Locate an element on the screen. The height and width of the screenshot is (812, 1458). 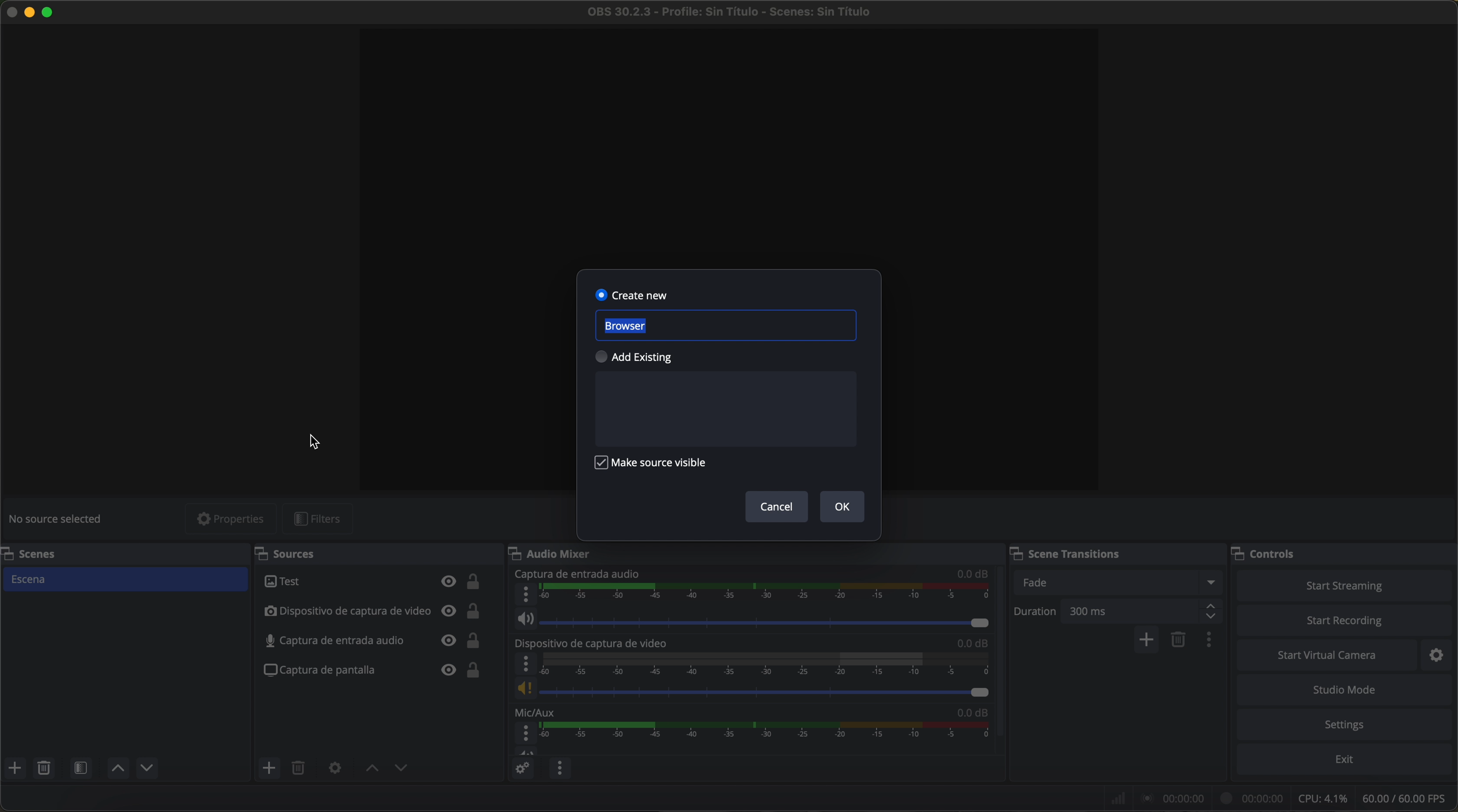
300 ms is located at coordinates (1146, 611).